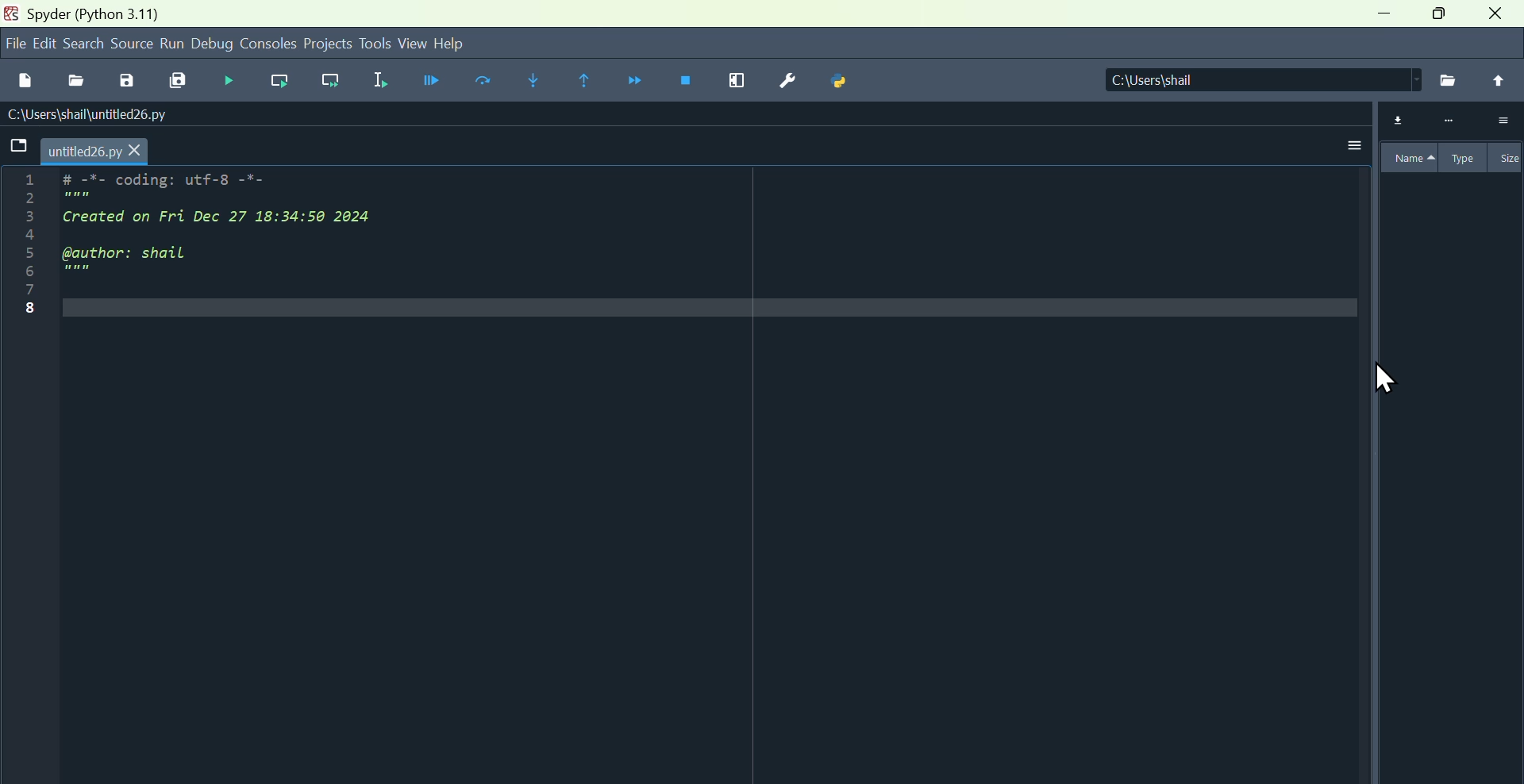 The width and height of the screenshot is (1524, 784). Describe the element at coordinates (488, 83) in the screenshot. I see `Run cell` at that location.